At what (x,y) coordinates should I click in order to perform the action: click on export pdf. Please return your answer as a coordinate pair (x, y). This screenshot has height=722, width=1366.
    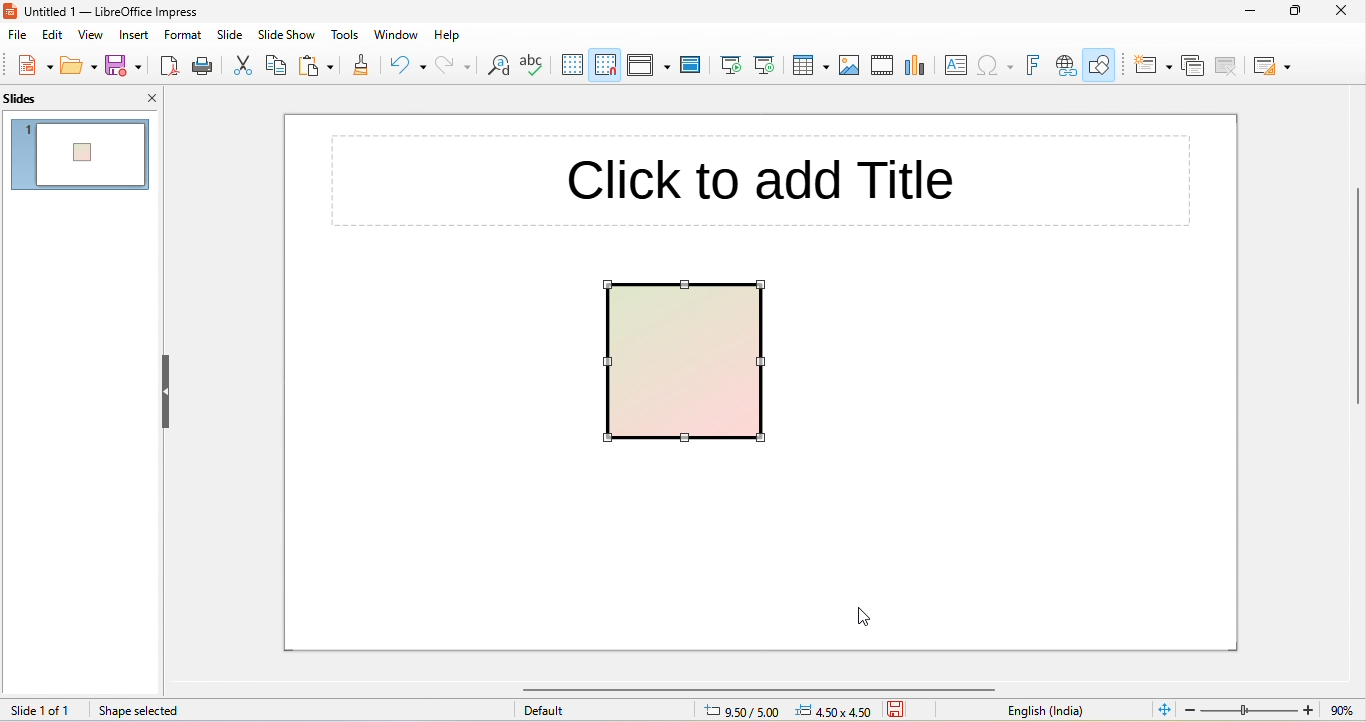
    Looking at the image, I should click on (169, 65).